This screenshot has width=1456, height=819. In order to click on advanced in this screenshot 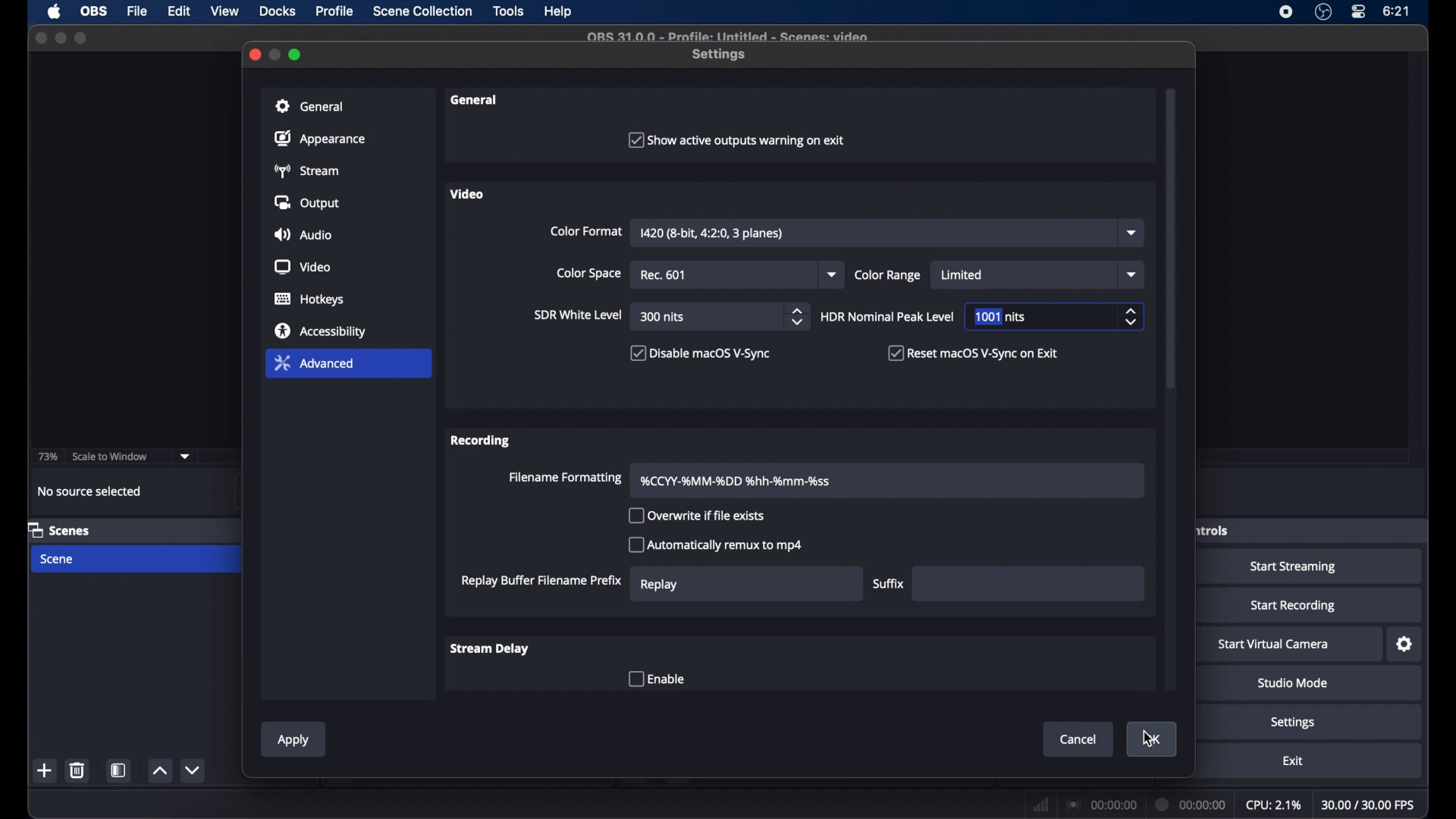, I will do `click(314, 362)`.